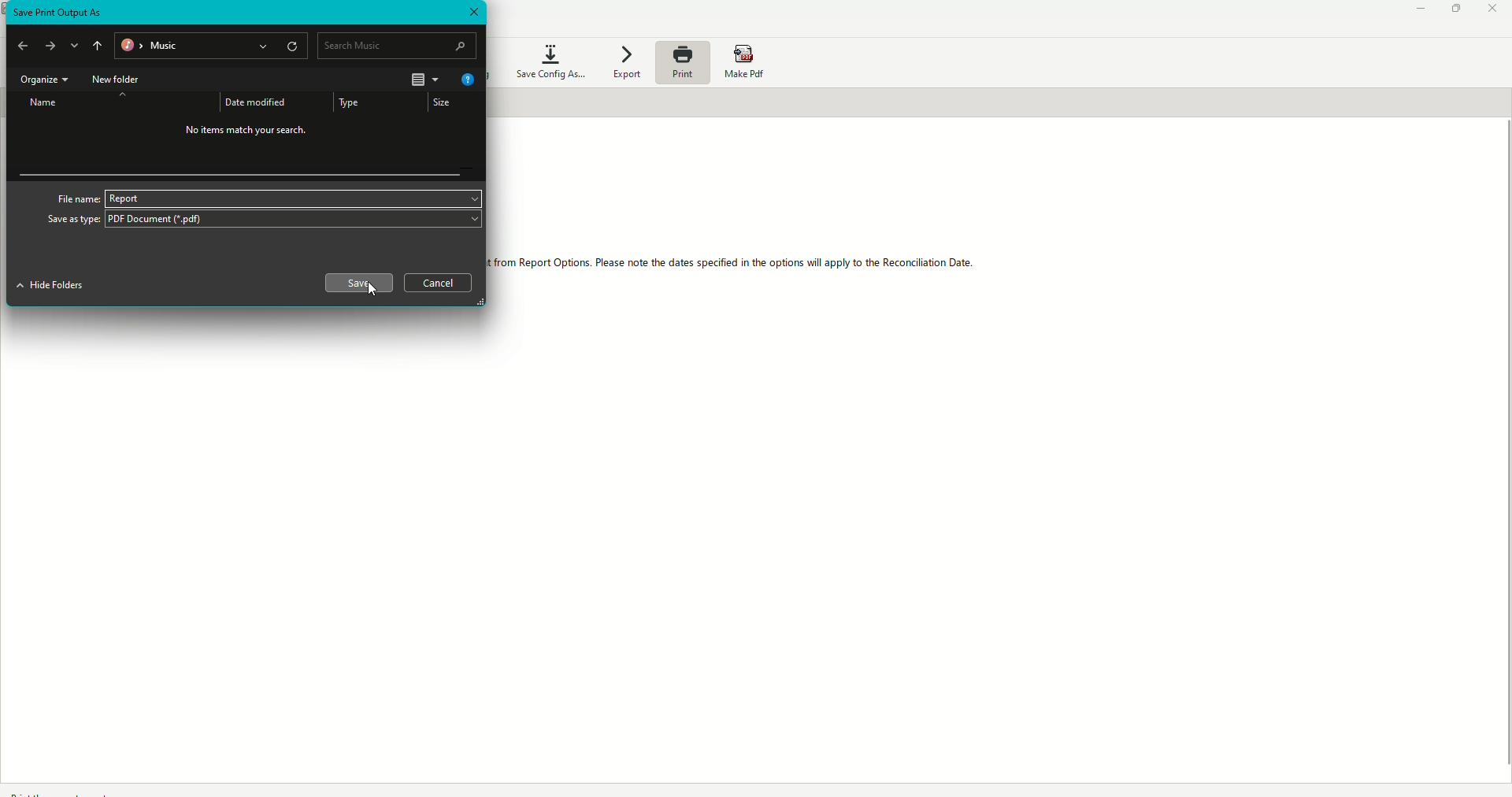  Describe the element at coordinates (1492, 9) in the screenshot. I see `Close` at that location.